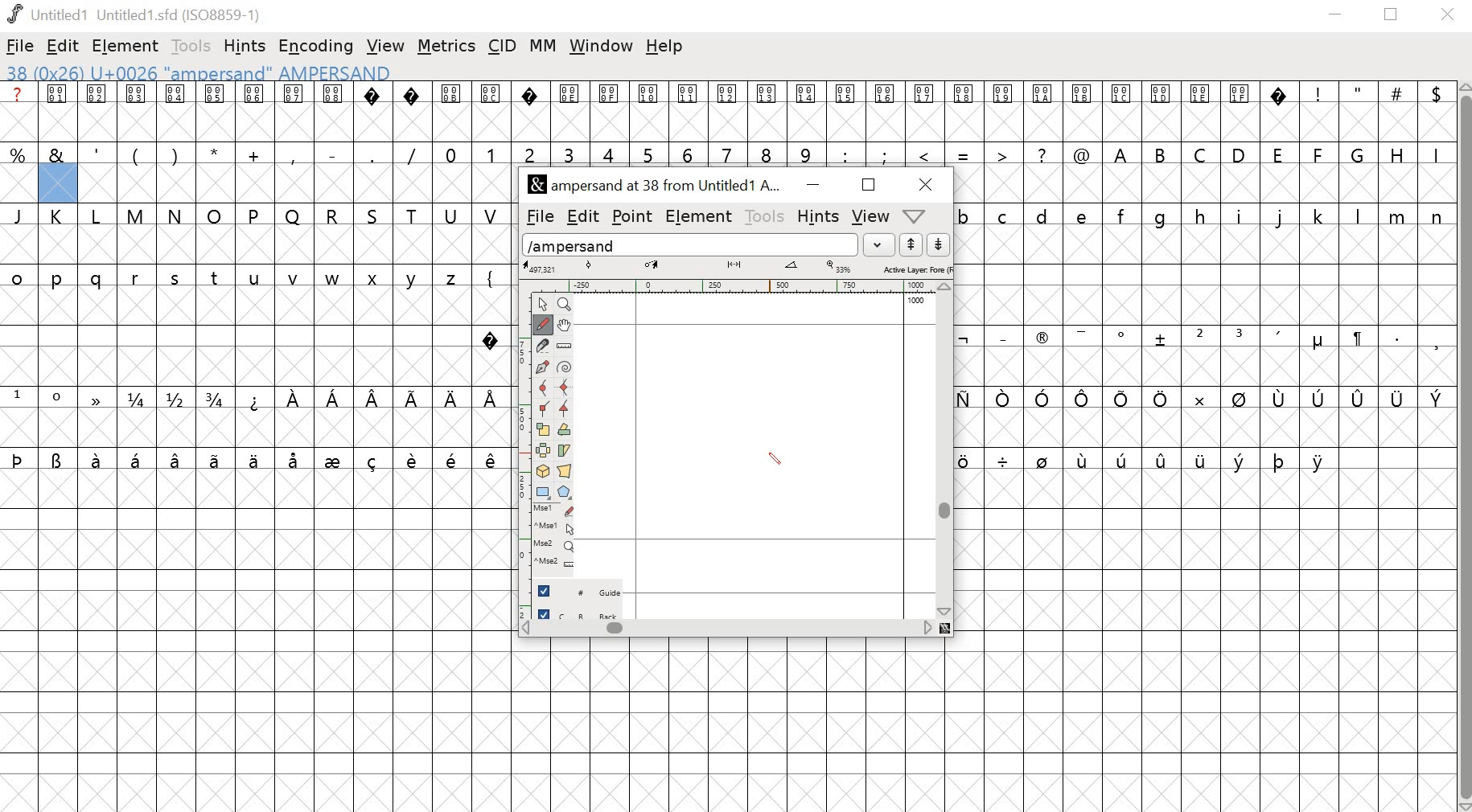 Image resolution: width=1472 pixels, height=812 pixels. What do you see at coordinates (767, 153) in the screenshot?
I see `8` at bounding box center [767, 153].